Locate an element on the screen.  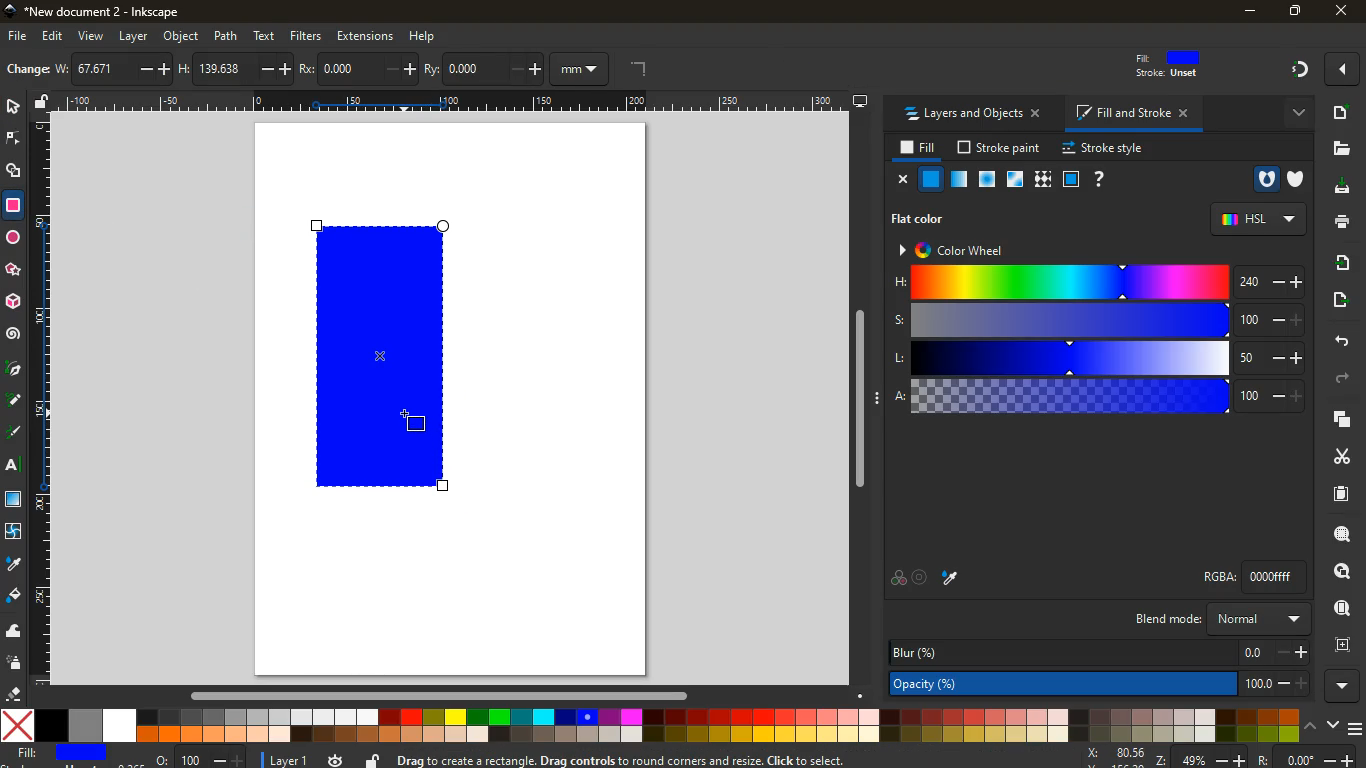
h is located at coordinates (236, 69).